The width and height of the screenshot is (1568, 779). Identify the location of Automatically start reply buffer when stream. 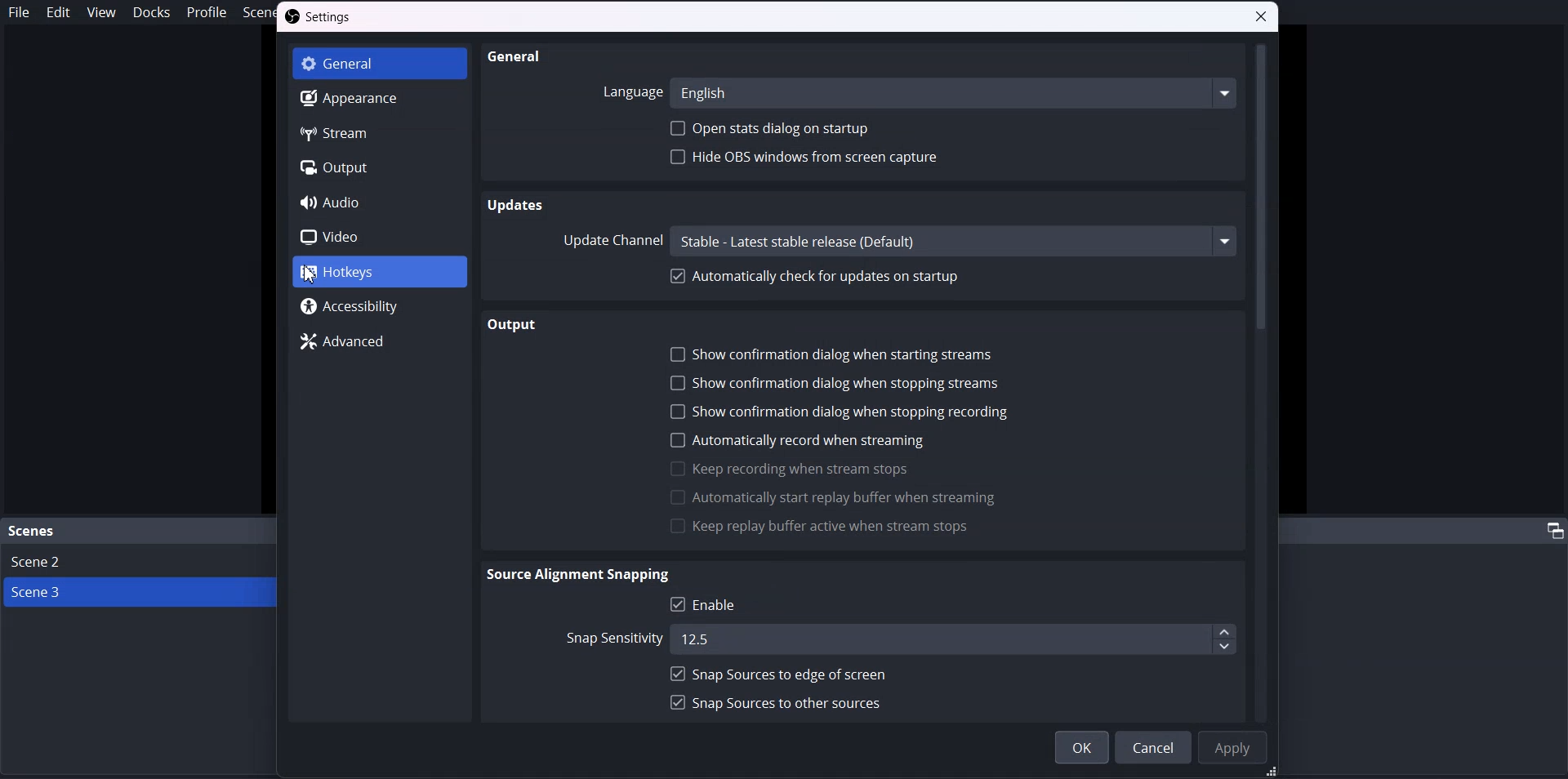
(832, 496).